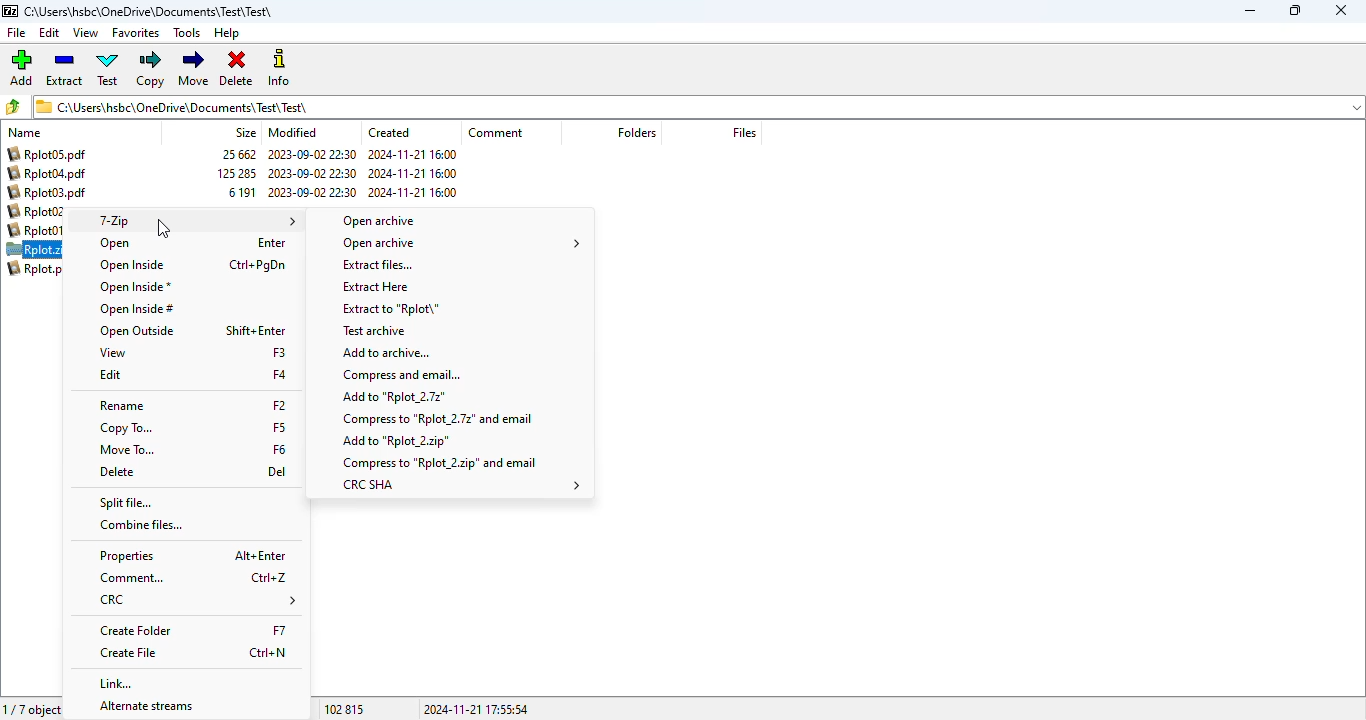  What do you see at coordinates (195, 601) in the screenshot?
I see `CRC` at bounding box center [195, 601].